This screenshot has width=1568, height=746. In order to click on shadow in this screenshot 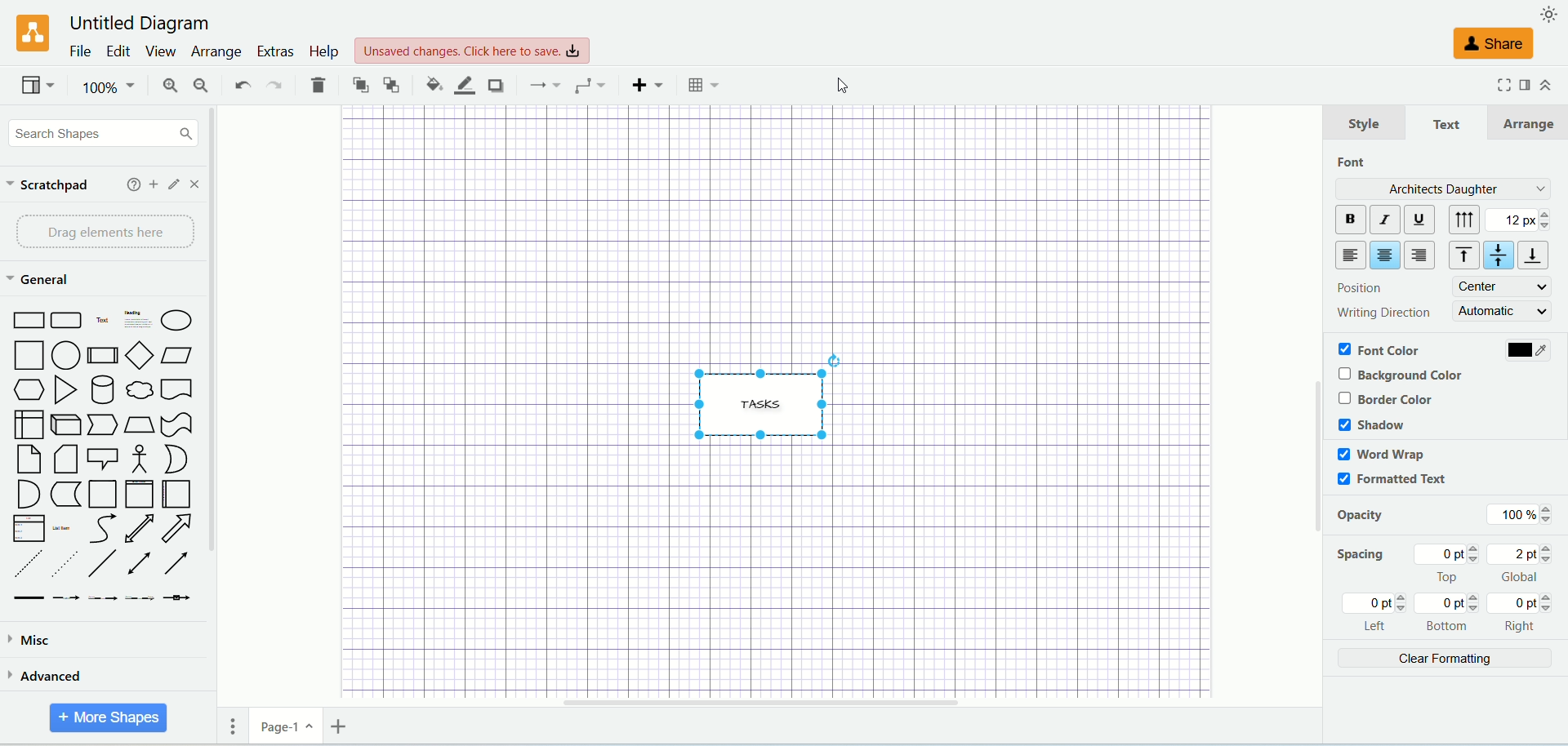, I will do `click(494, 85)`.